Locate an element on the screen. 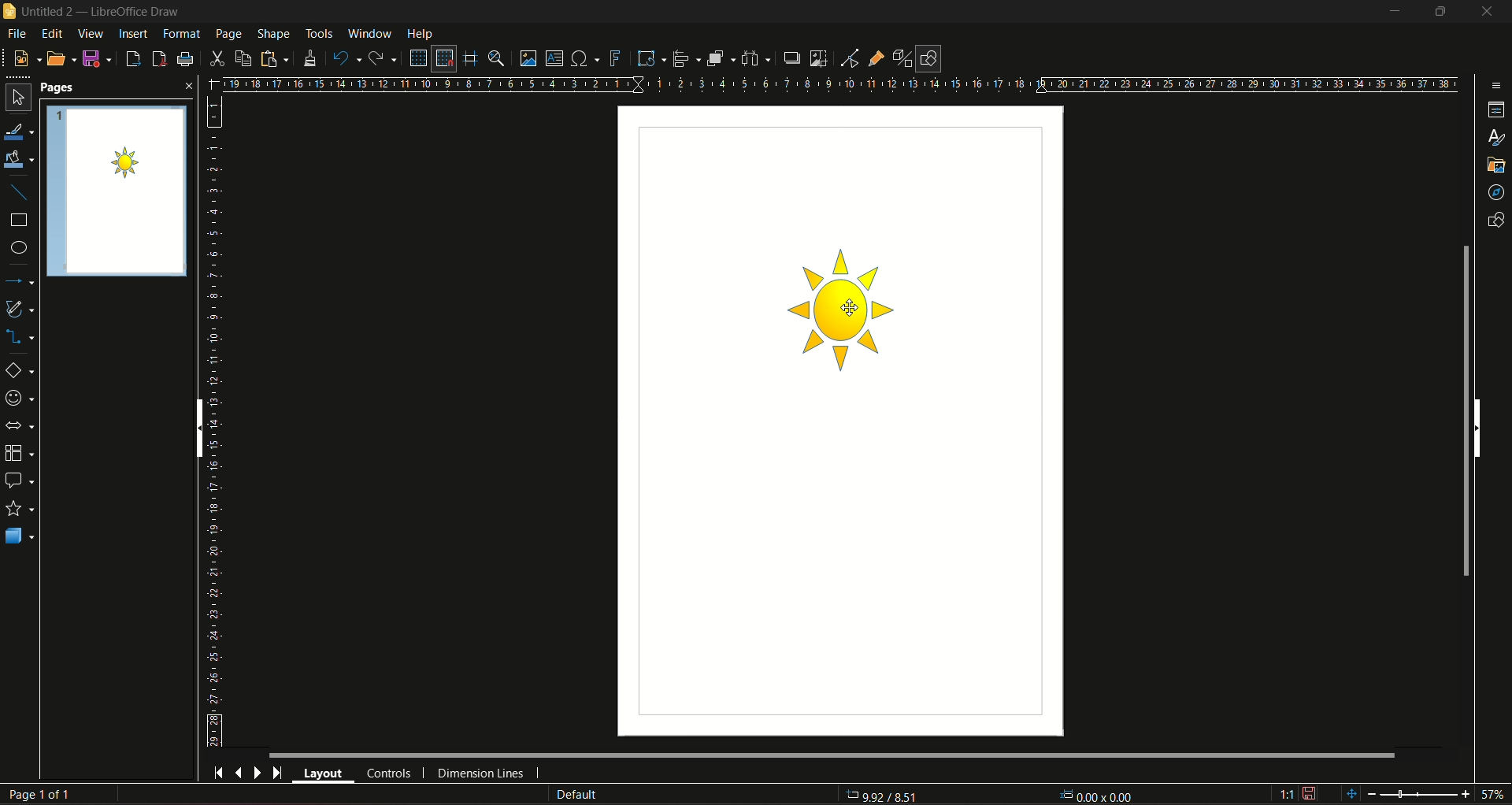  logo and title is located at coordinates (94, 11).